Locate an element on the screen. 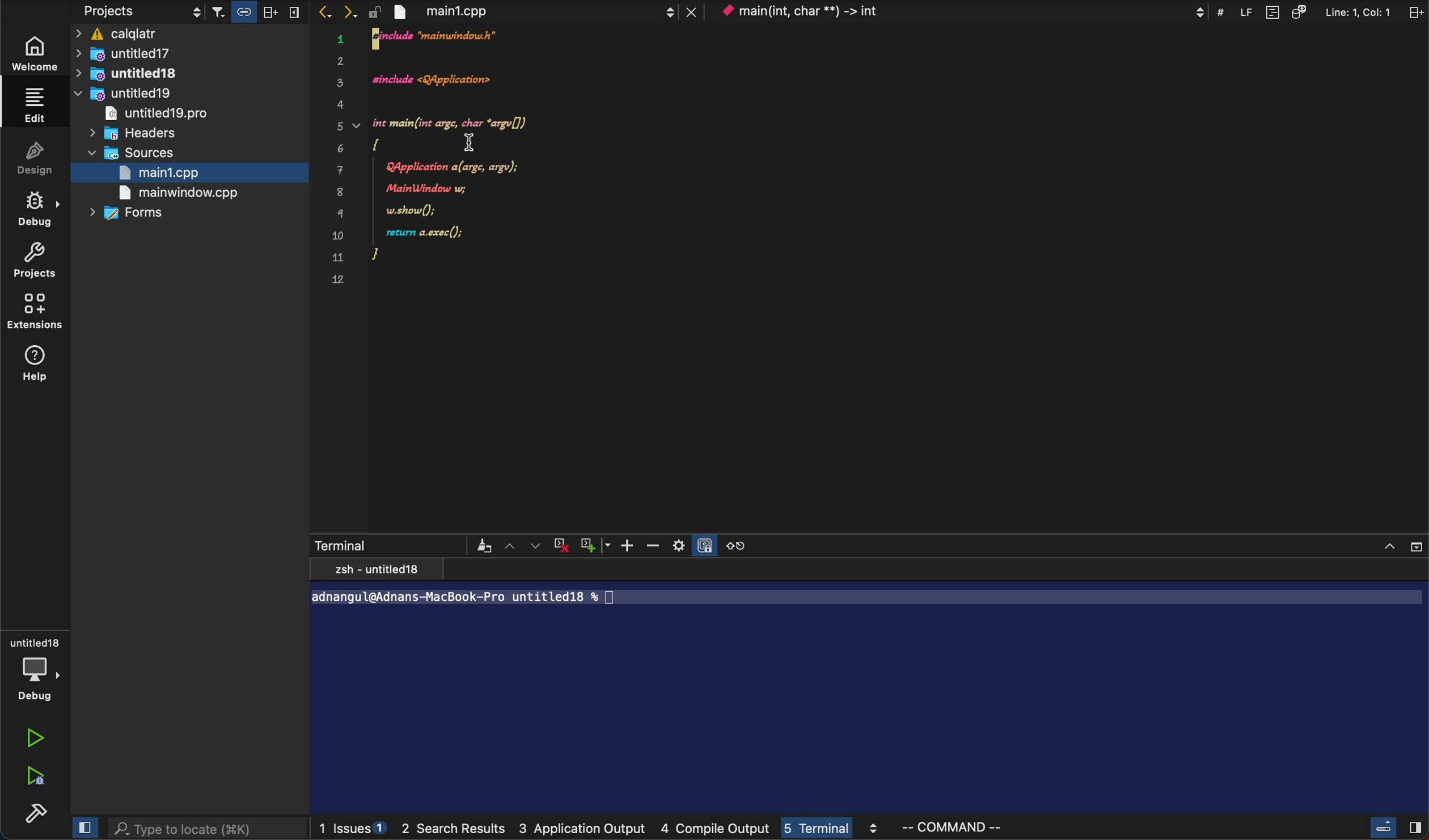  terminal is located at coordinates (836, 829).